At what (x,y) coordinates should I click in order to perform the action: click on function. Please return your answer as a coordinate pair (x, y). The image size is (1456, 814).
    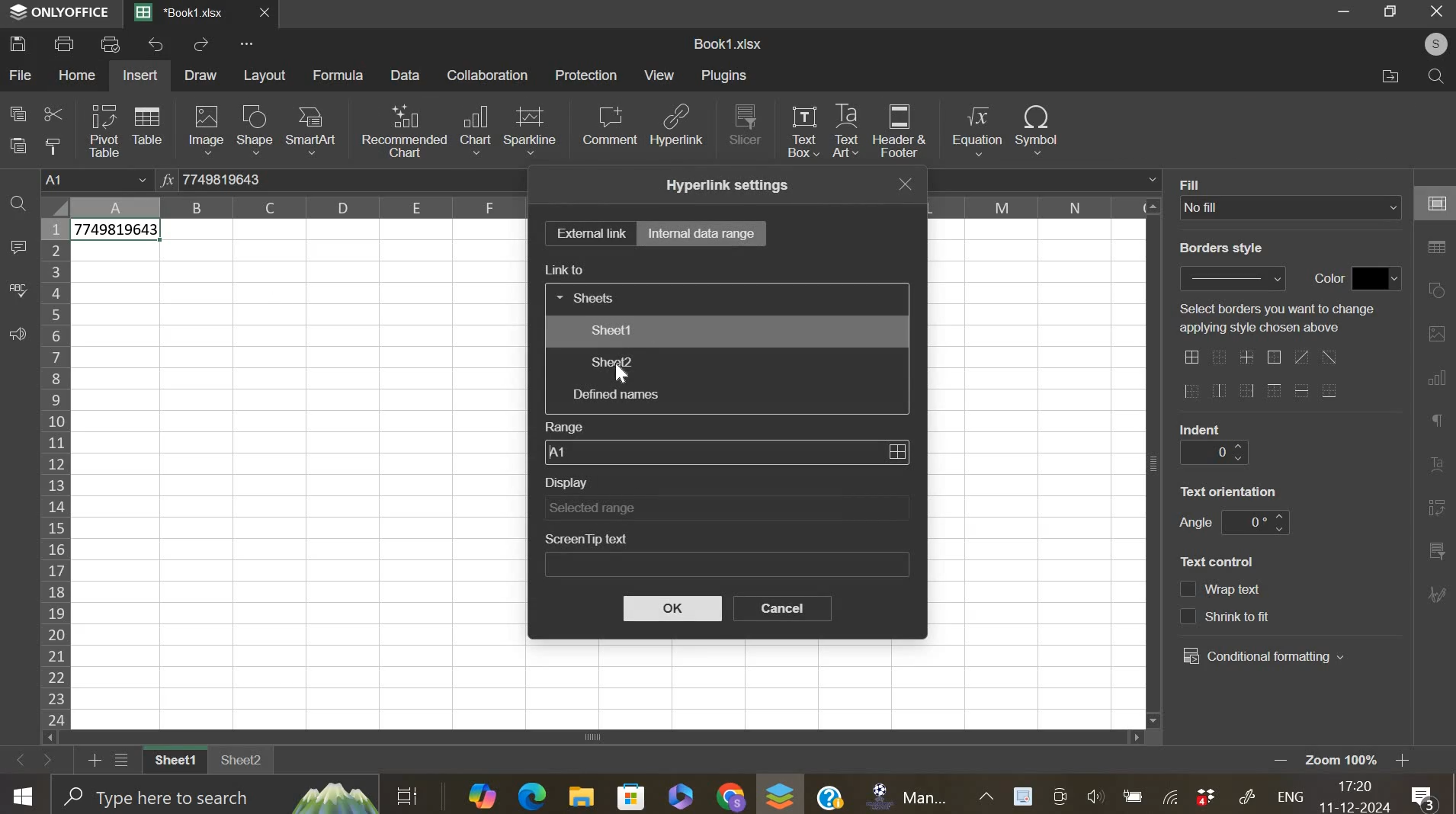
    Looking at the image, I should click on (165, 178).